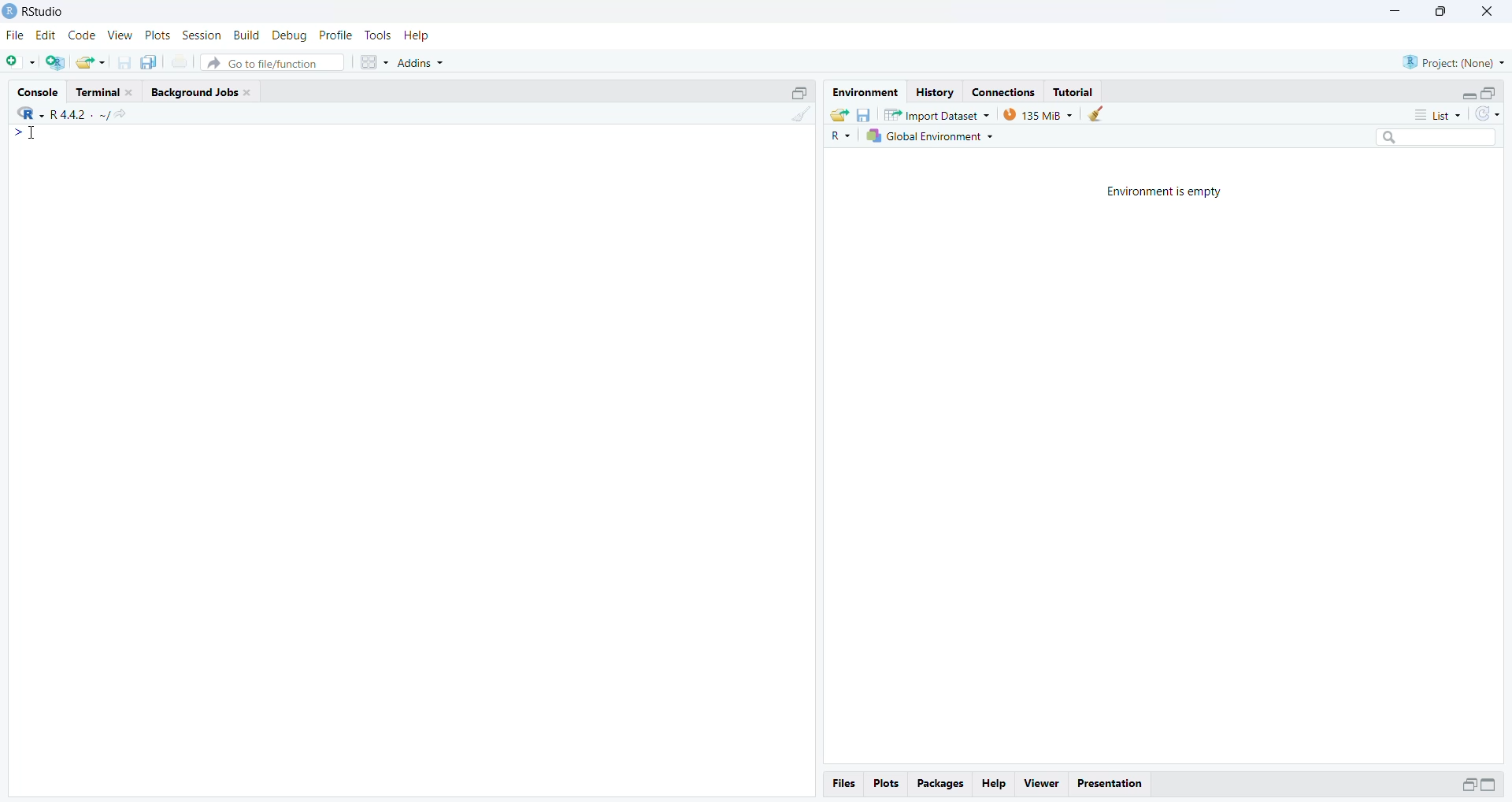 This screenshot has height=802, width=1512. I want to click on Maximize, so click(1439, 12).